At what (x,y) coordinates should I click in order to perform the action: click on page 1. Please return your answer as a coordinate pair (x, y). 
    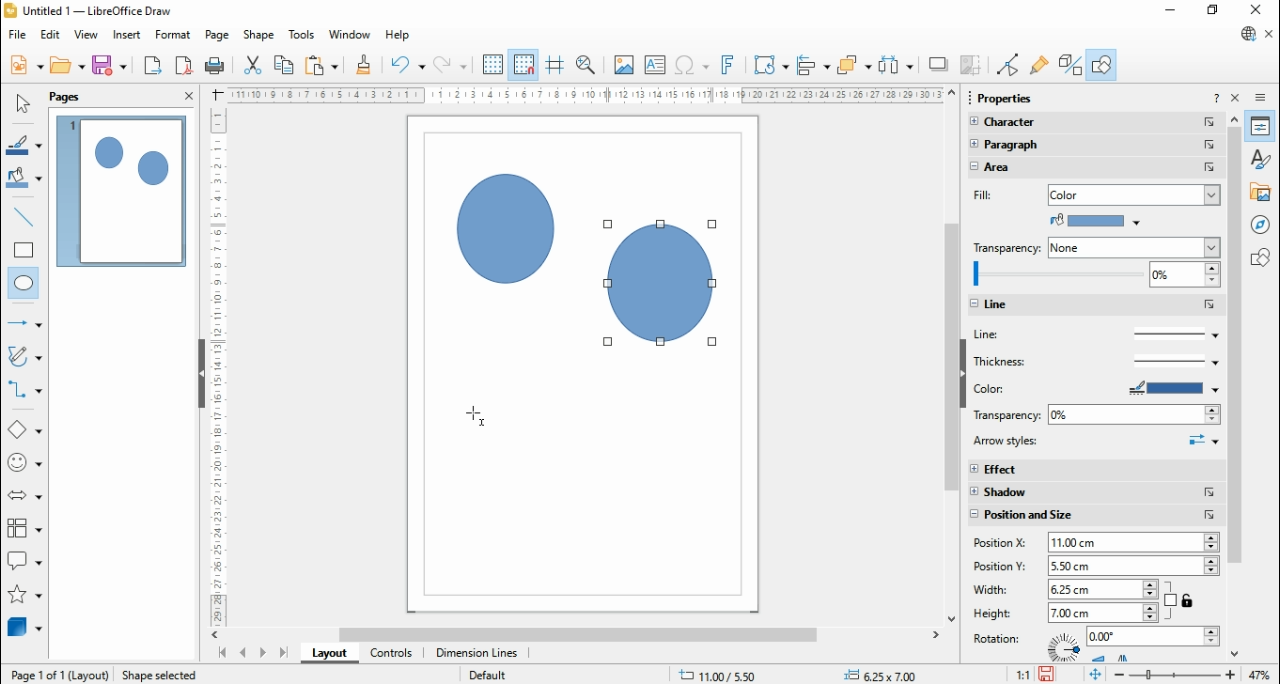
    Looking at the image, I should click on (123, 191).